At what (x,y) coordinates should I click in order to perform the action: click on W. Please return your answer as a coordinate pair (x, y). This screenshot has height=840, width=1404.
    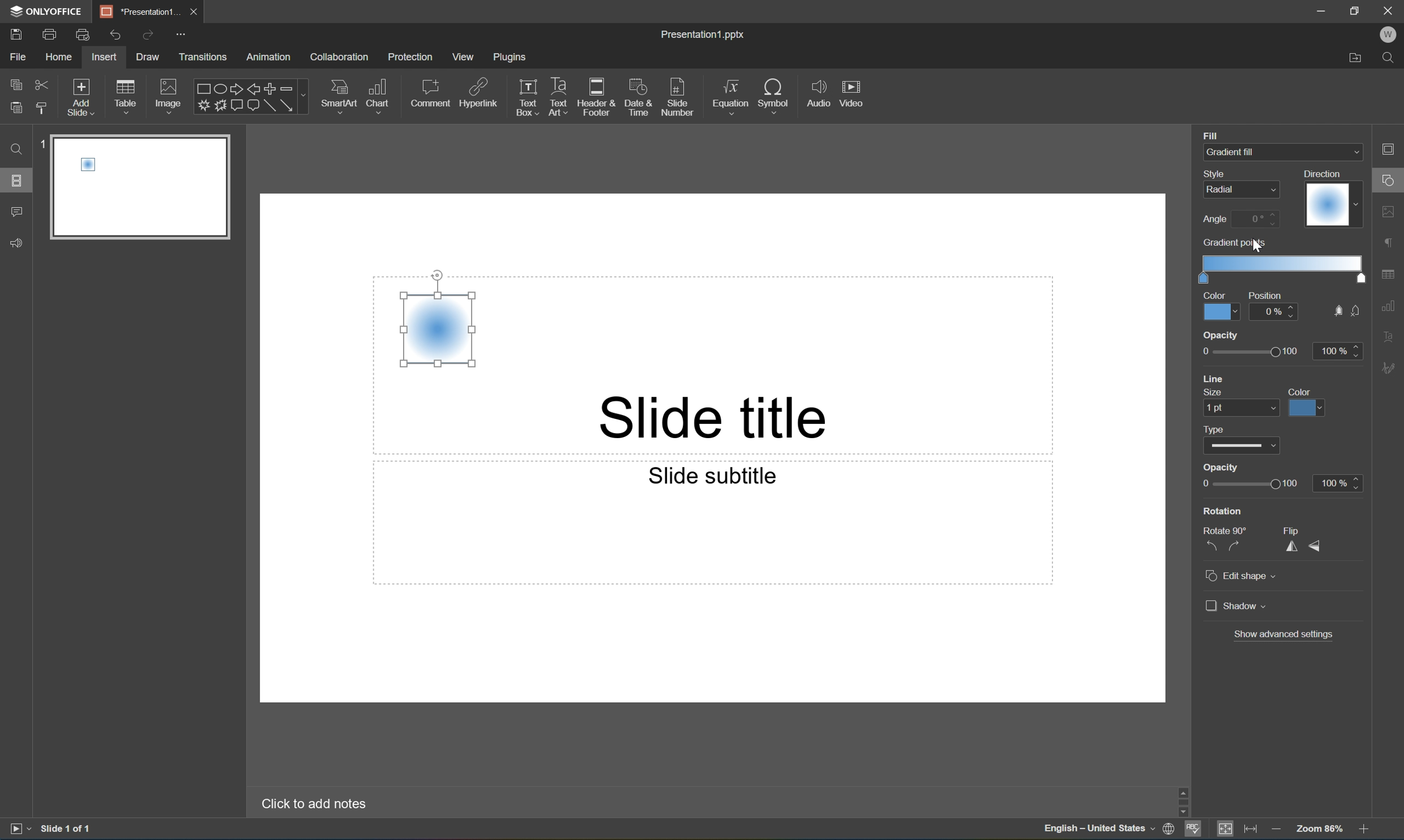
    Looking at the image, I should click on (1388, 35).